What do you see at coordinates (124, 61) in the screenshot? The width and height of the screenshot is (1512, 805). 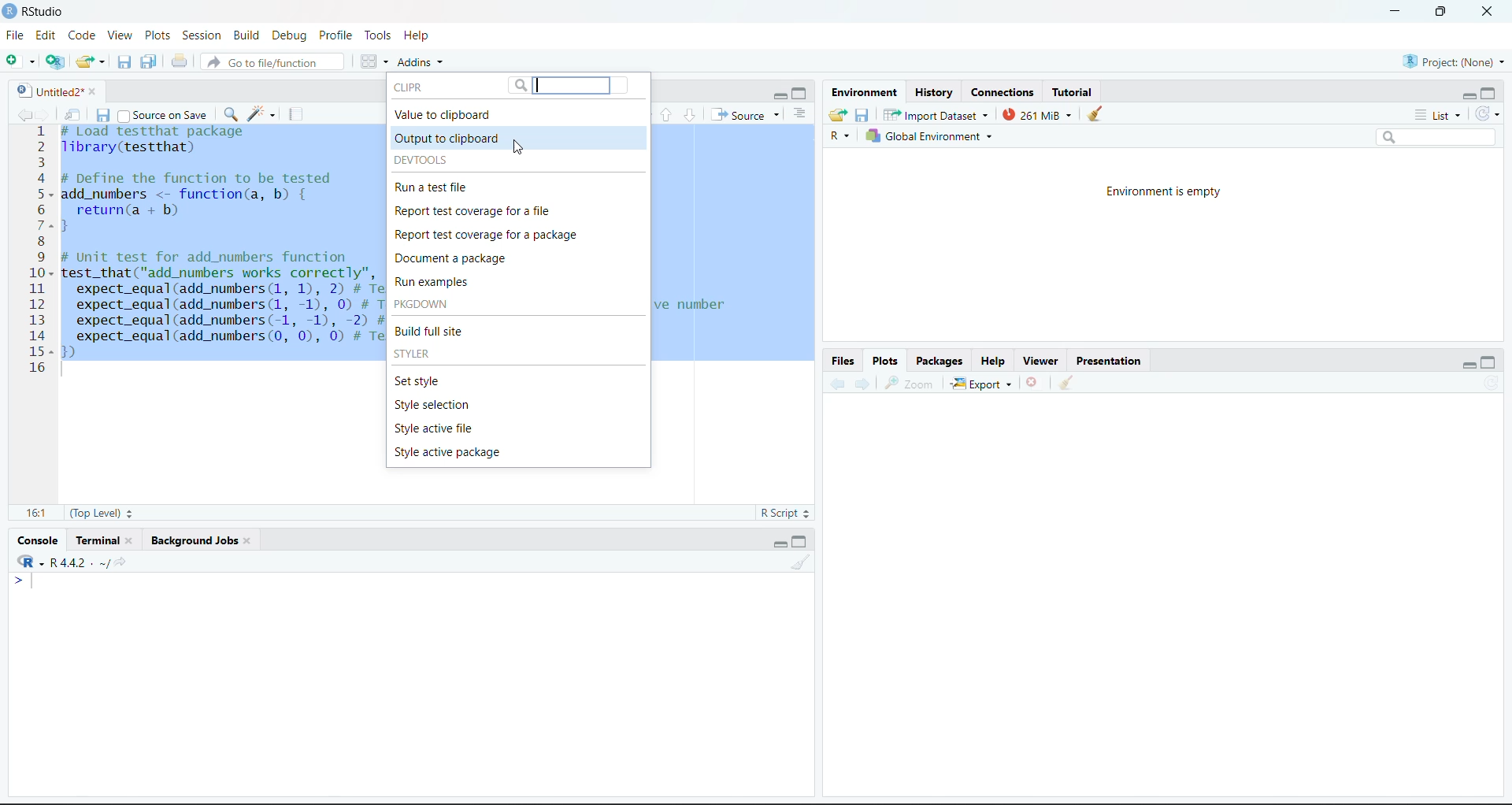 I see `Save the current document` at bounding box center [124, 61].